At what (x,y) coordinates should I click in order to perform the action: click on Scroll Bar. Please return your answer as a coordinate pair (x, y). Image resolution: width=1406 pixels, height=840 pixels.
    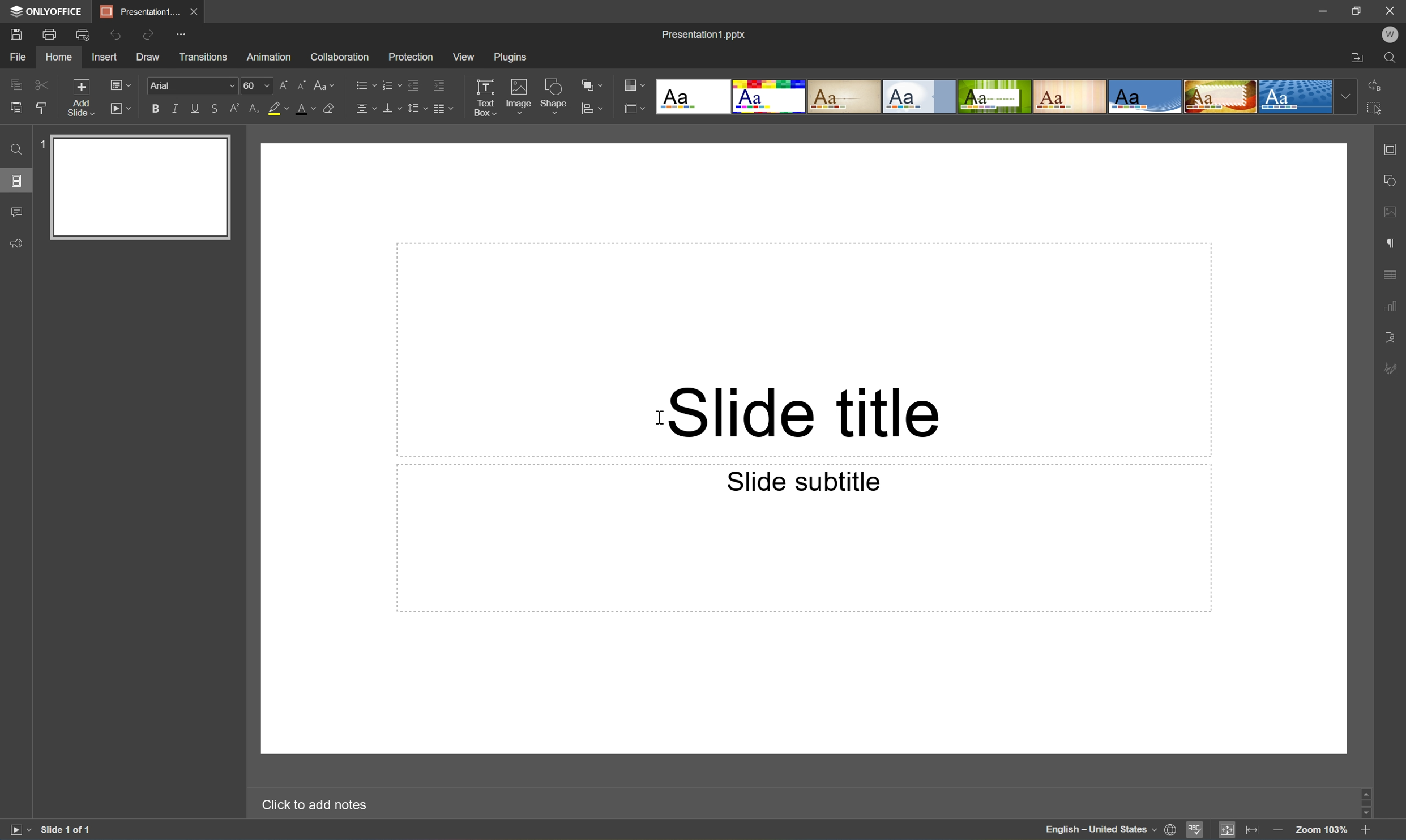
    Looking at the image, I should click on (1365, 803).